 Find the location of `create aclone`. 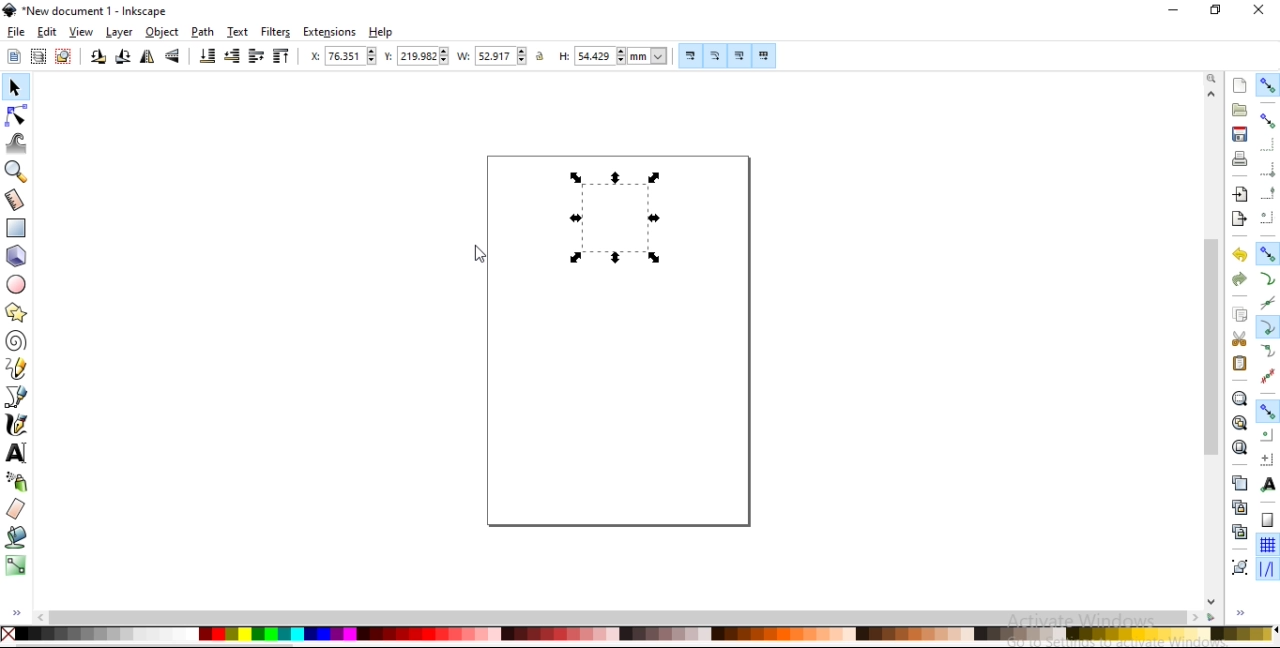

create aclone is located at coordinates (1238, 508).